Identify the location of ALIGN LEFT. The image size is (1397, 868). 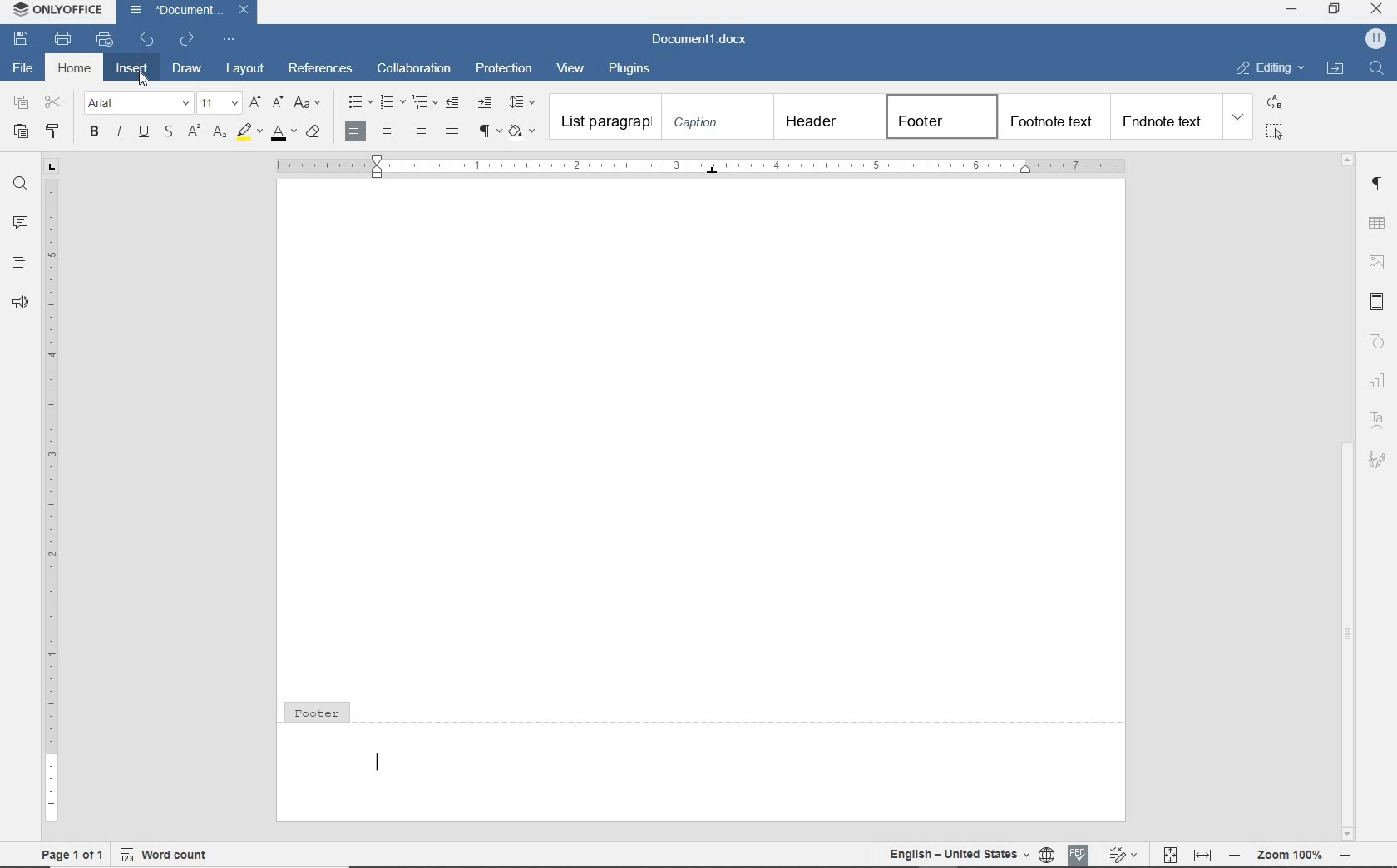
(358, 132).